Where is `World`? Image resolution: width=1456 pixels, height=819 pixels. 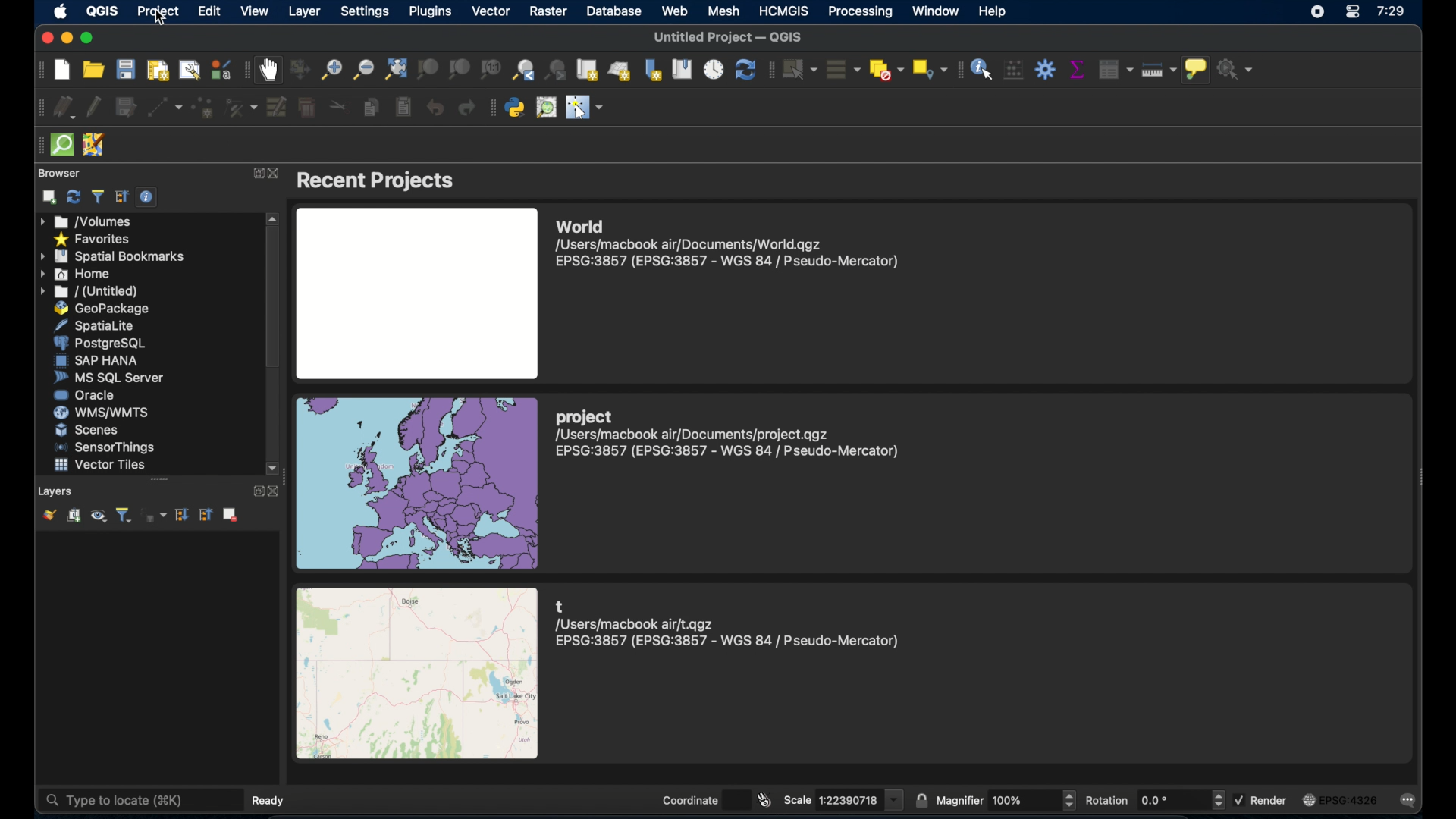 World is located at coordinates (581, 227).